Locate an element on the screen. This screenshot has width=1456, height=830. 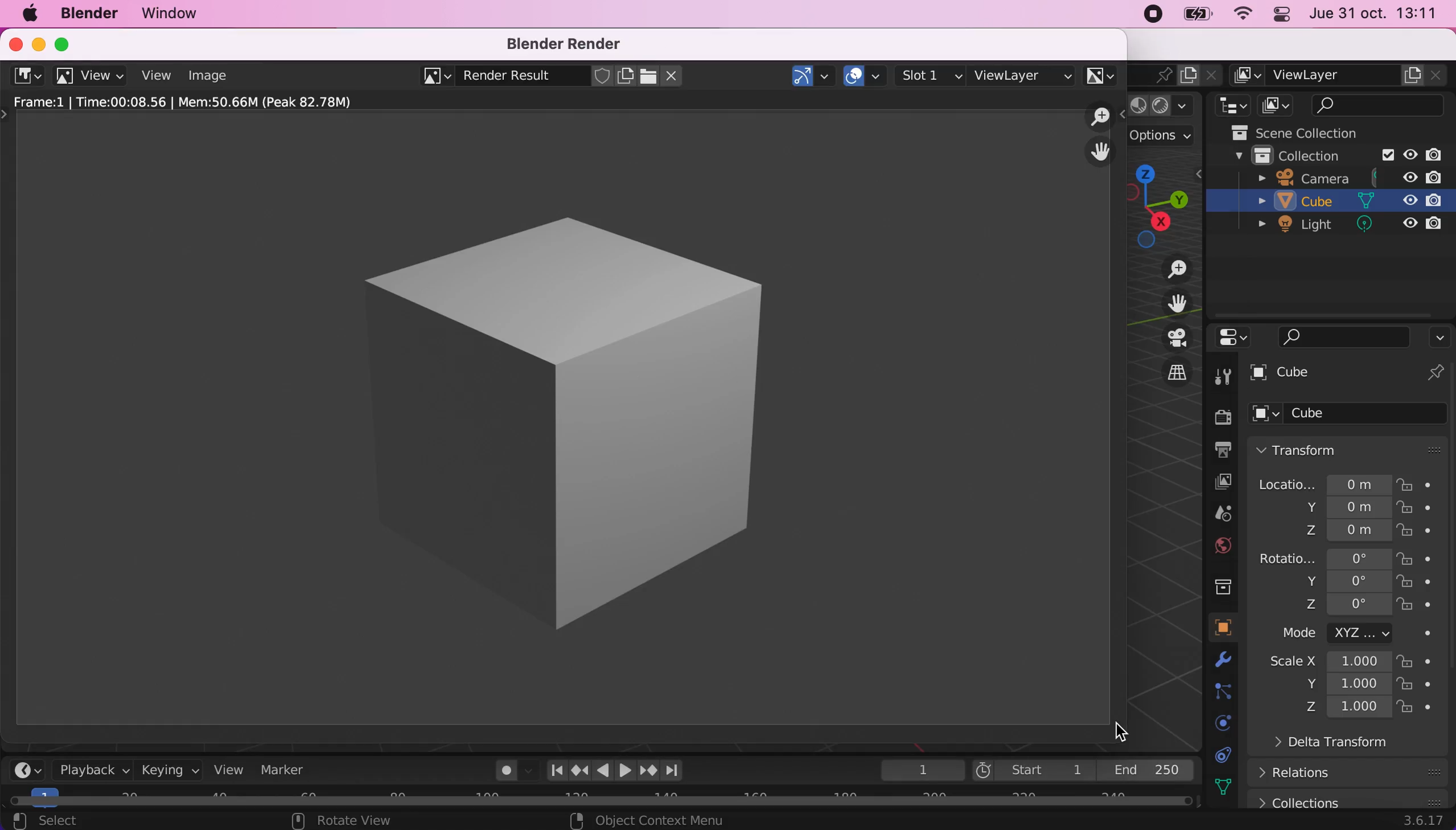
blender is located at coordinates (88, 14).